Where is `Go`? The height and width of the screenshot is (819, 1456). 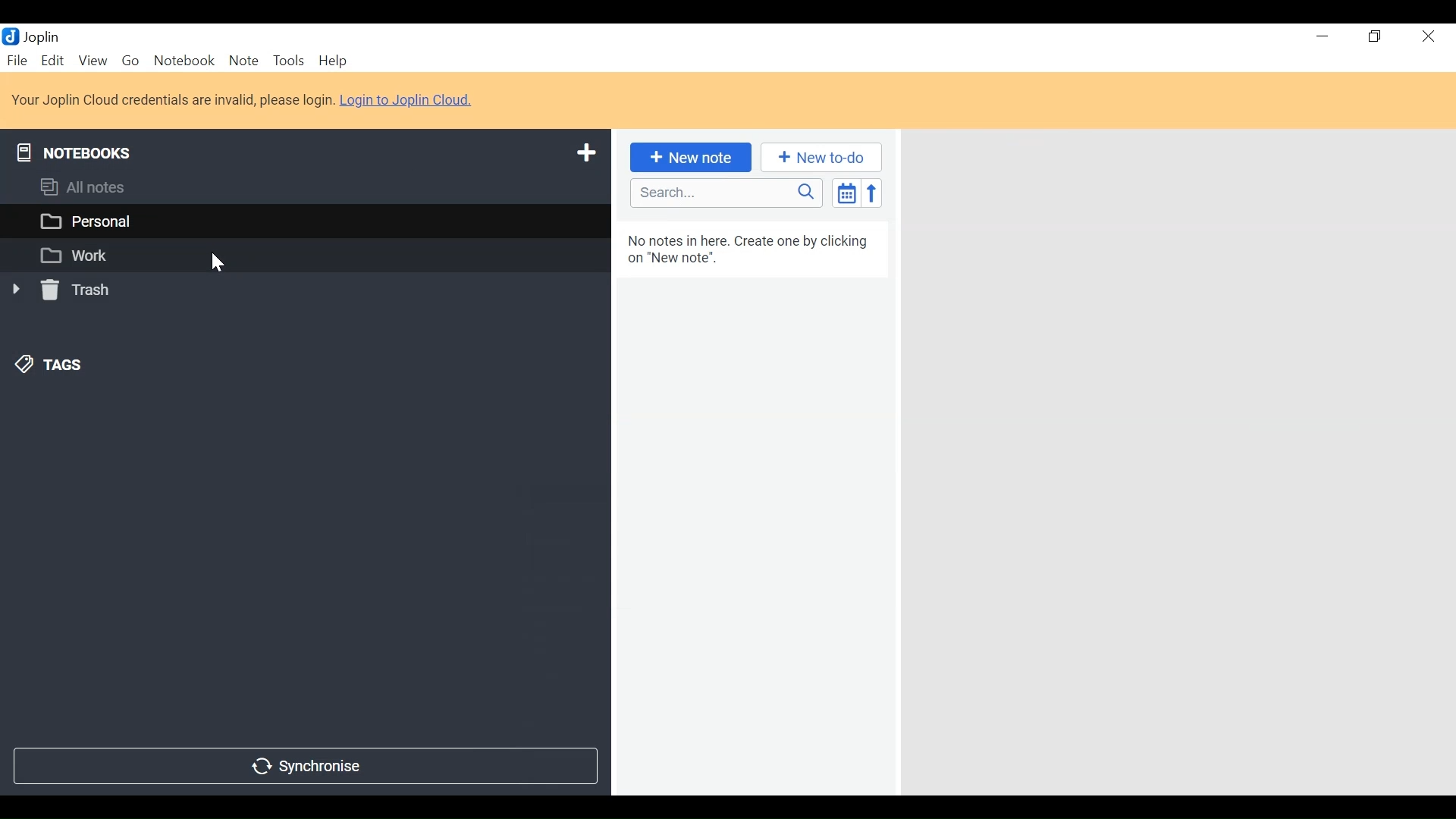 Go is located at coordinates (130, 61).